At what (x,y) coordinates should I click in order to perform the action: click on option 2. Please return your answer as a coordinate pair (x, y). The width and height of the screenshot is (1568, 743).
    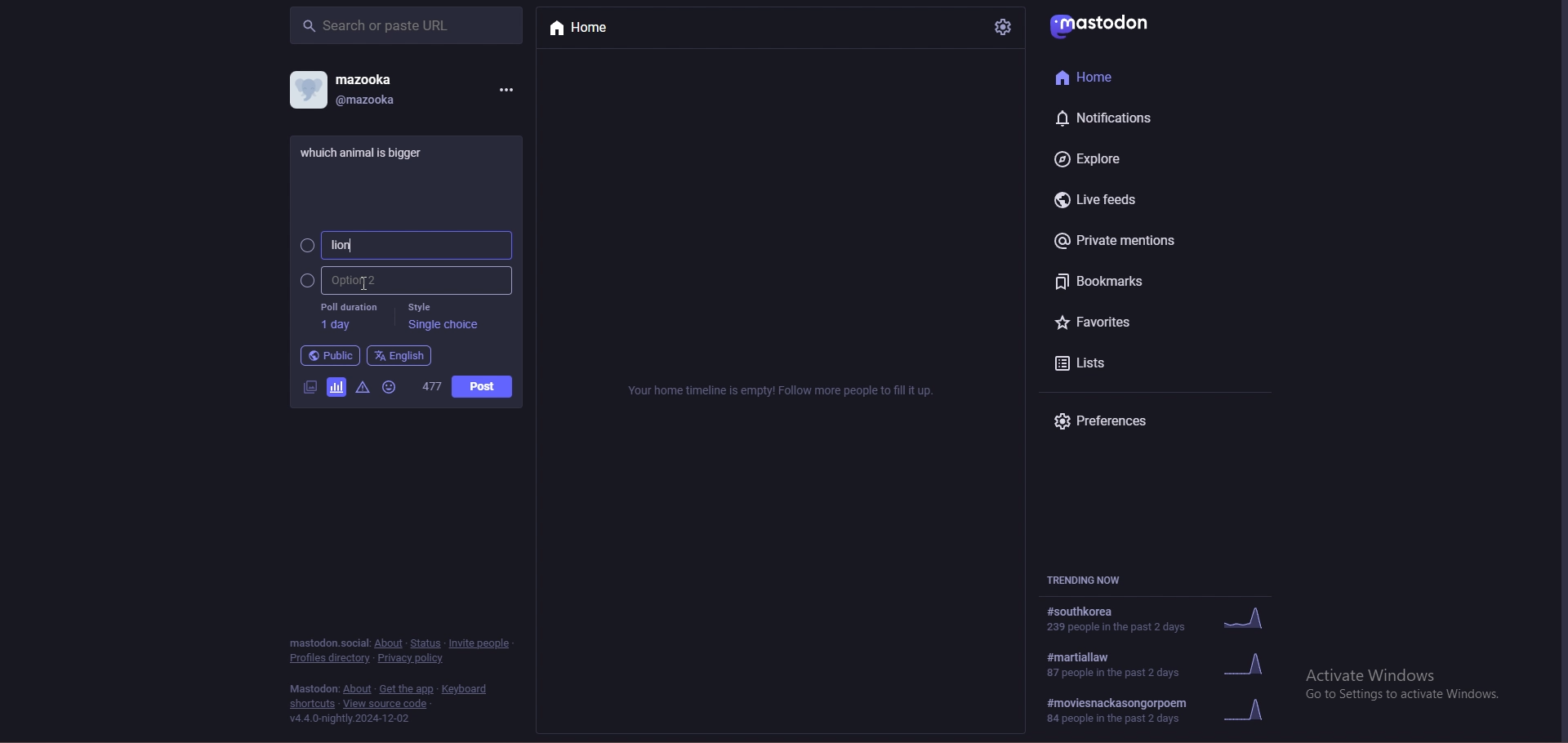
    Looking at the image, I should click on (403, 282).